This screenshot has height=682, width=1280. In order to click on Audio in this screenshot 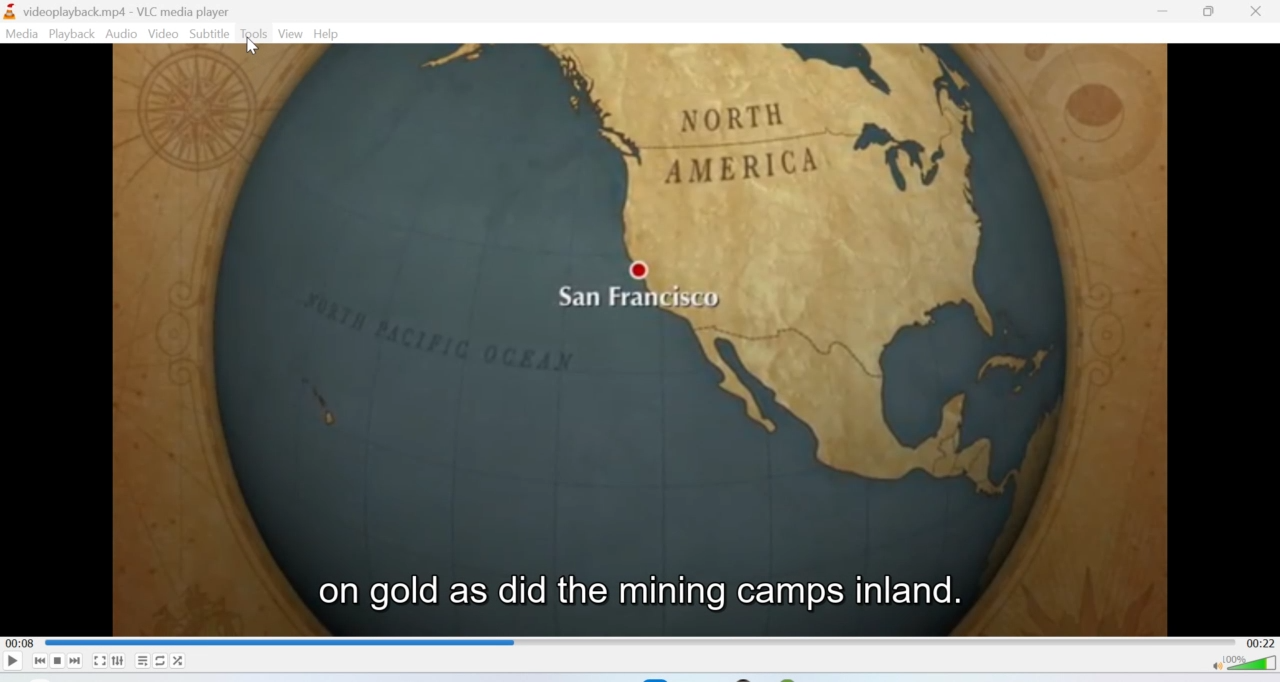, I will do `click(123, 35)`.